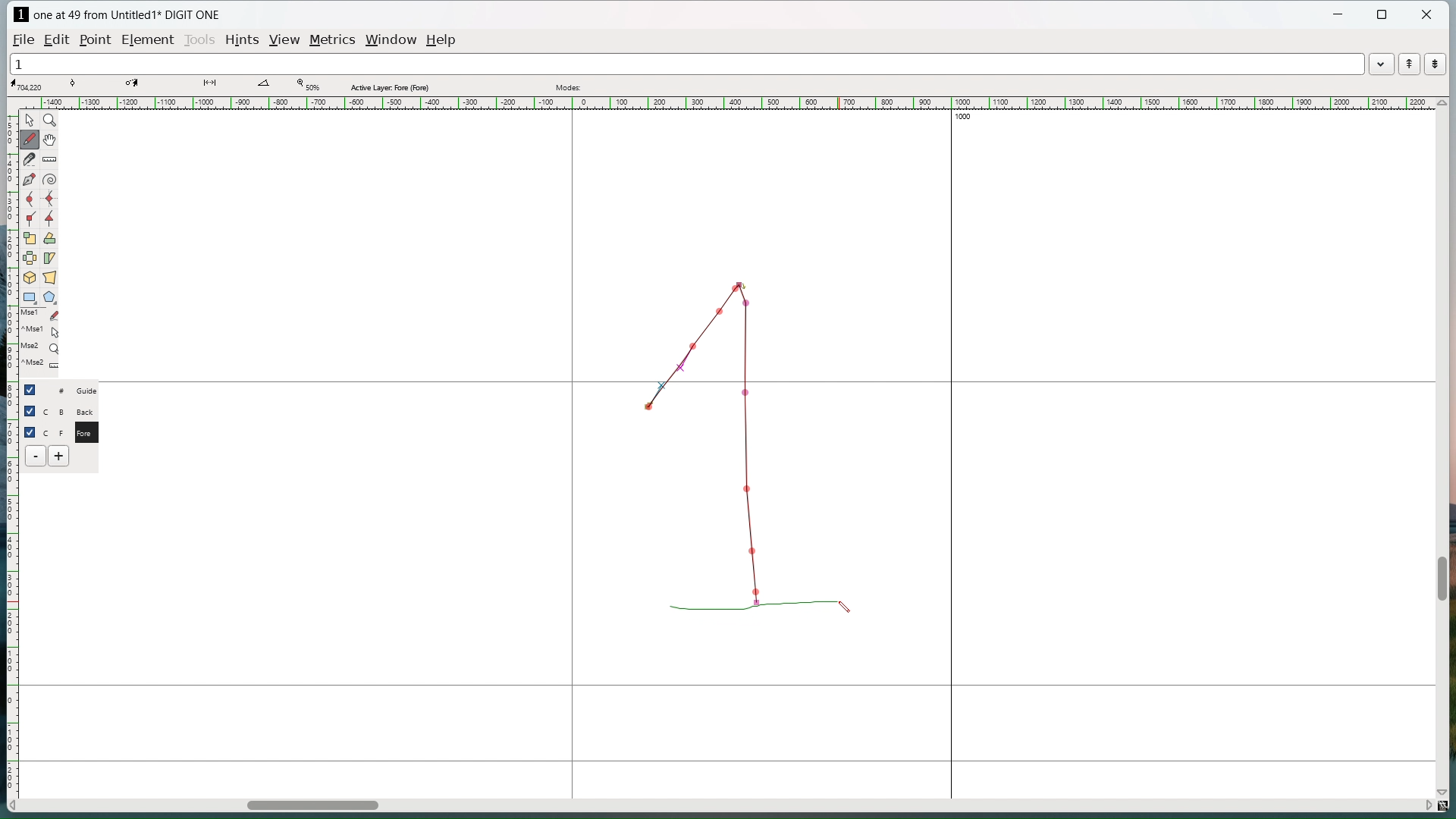 This screenshot has width=1456, height=819. What do you see at coordinates (147, 39) in the screenshot?
I see `element` at bounding box center [147, 39].